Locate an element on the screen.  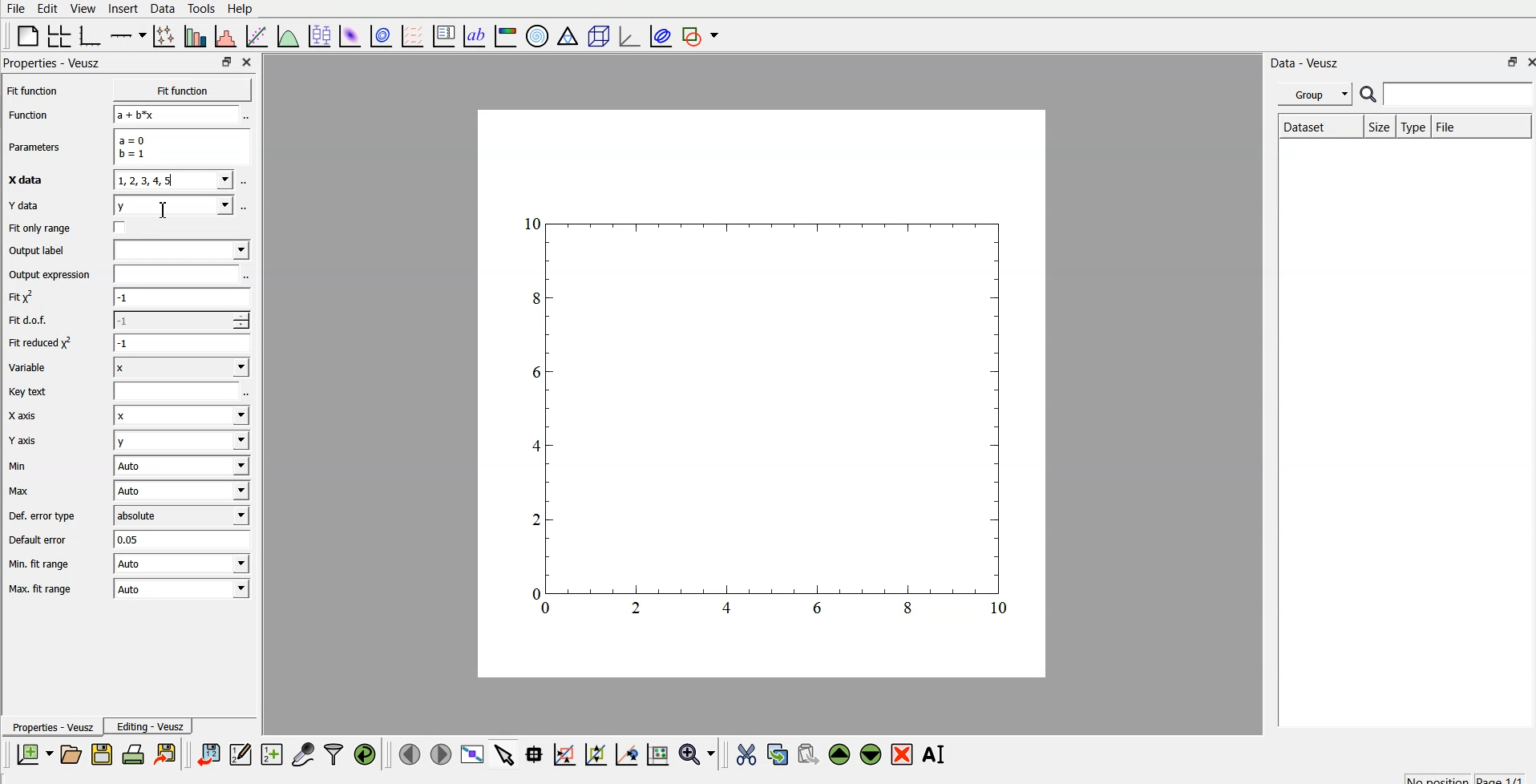
fit  a function to data is located at coordinates (256, 38).